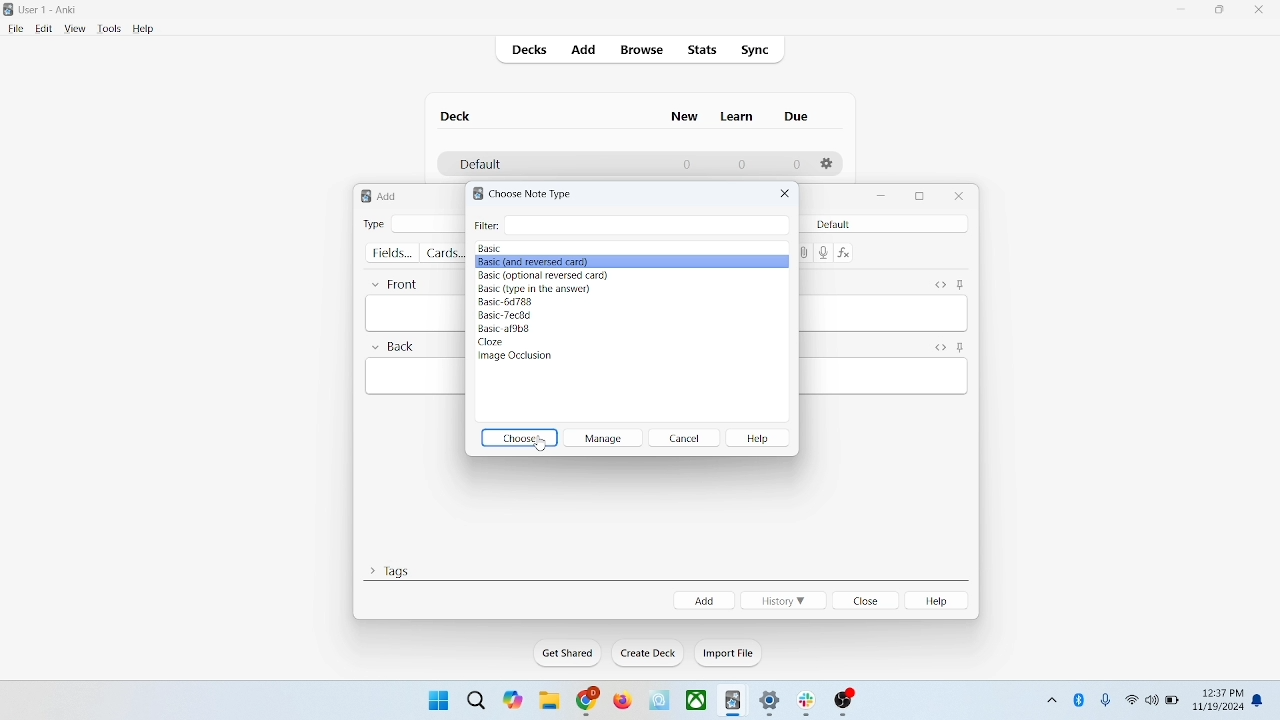  What do you see at coordinates (688, 164) in the screenshot?
I see `0` at bounding box center [688, 164].